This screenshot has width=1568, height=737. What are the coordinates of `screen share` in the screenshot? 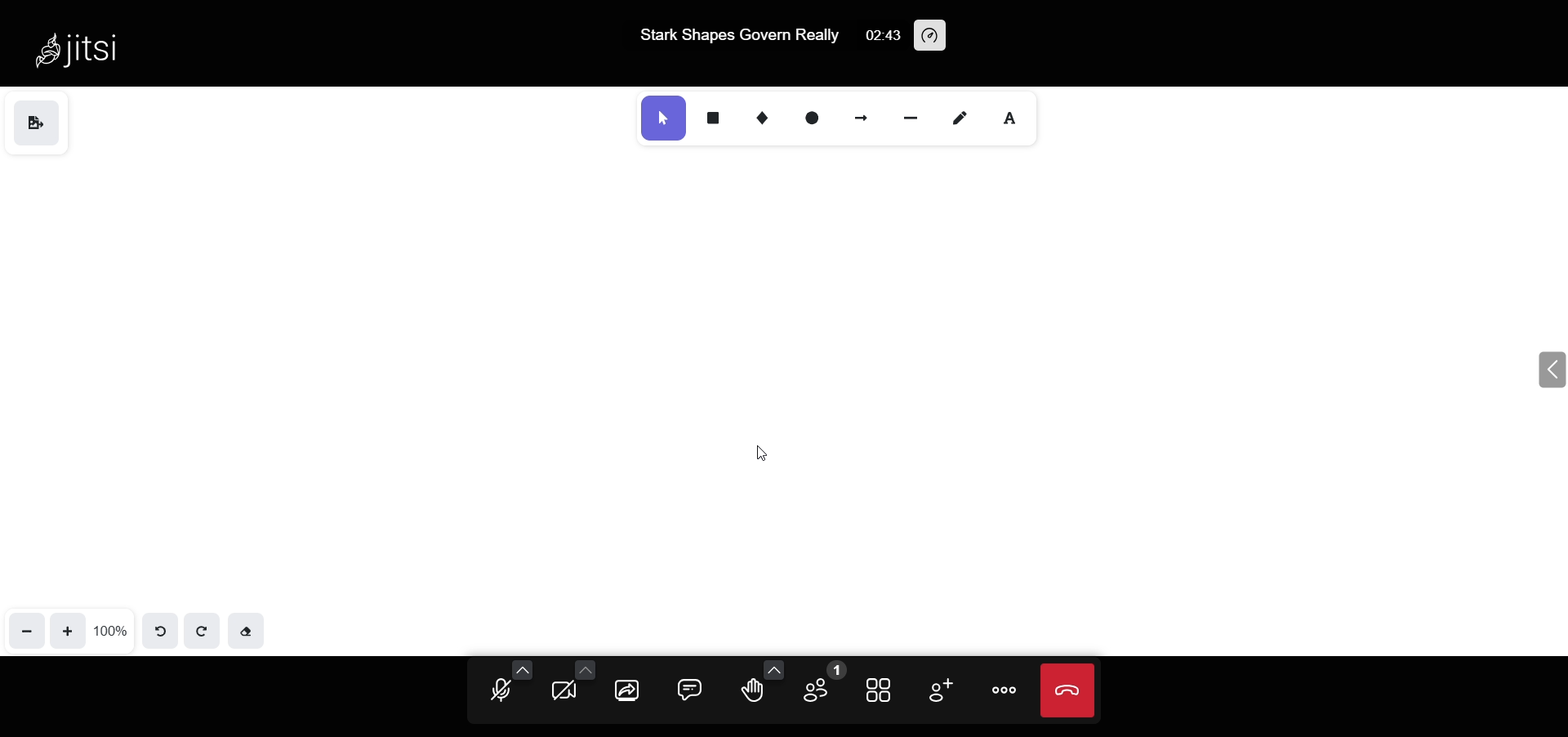 It's located at (629, 691).